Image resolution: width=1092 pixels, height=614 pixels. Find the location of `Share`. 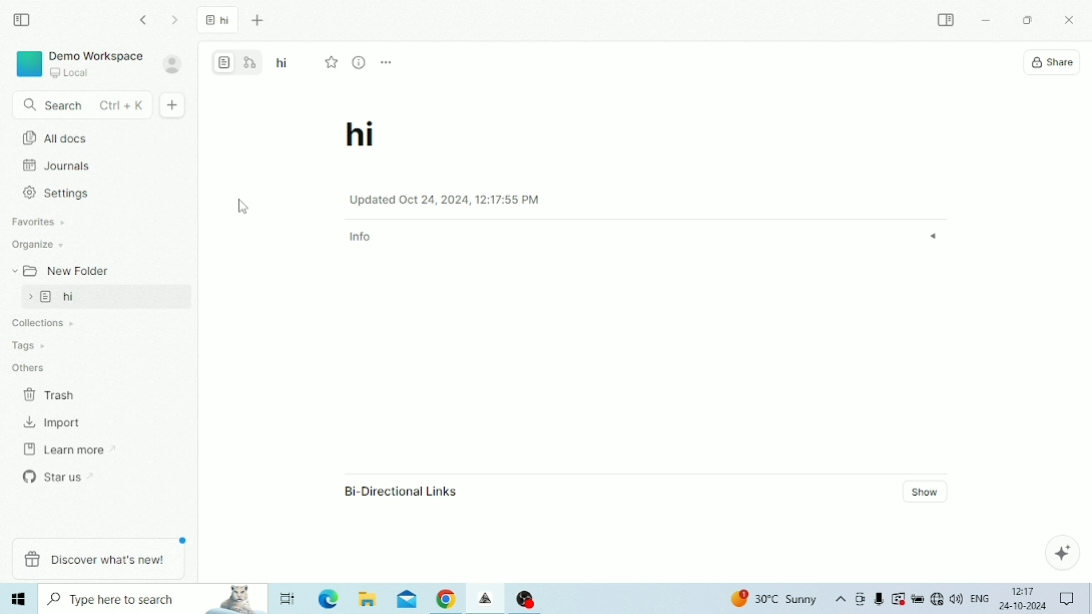

Share is located at coordinates (1052, 63).